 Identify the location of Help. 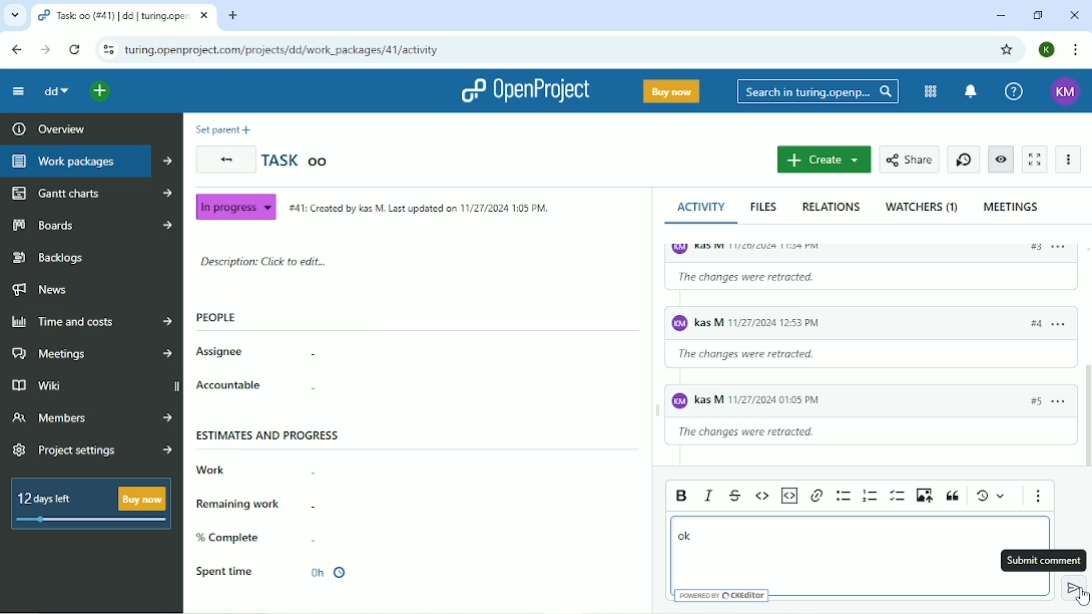
(1014, 90).